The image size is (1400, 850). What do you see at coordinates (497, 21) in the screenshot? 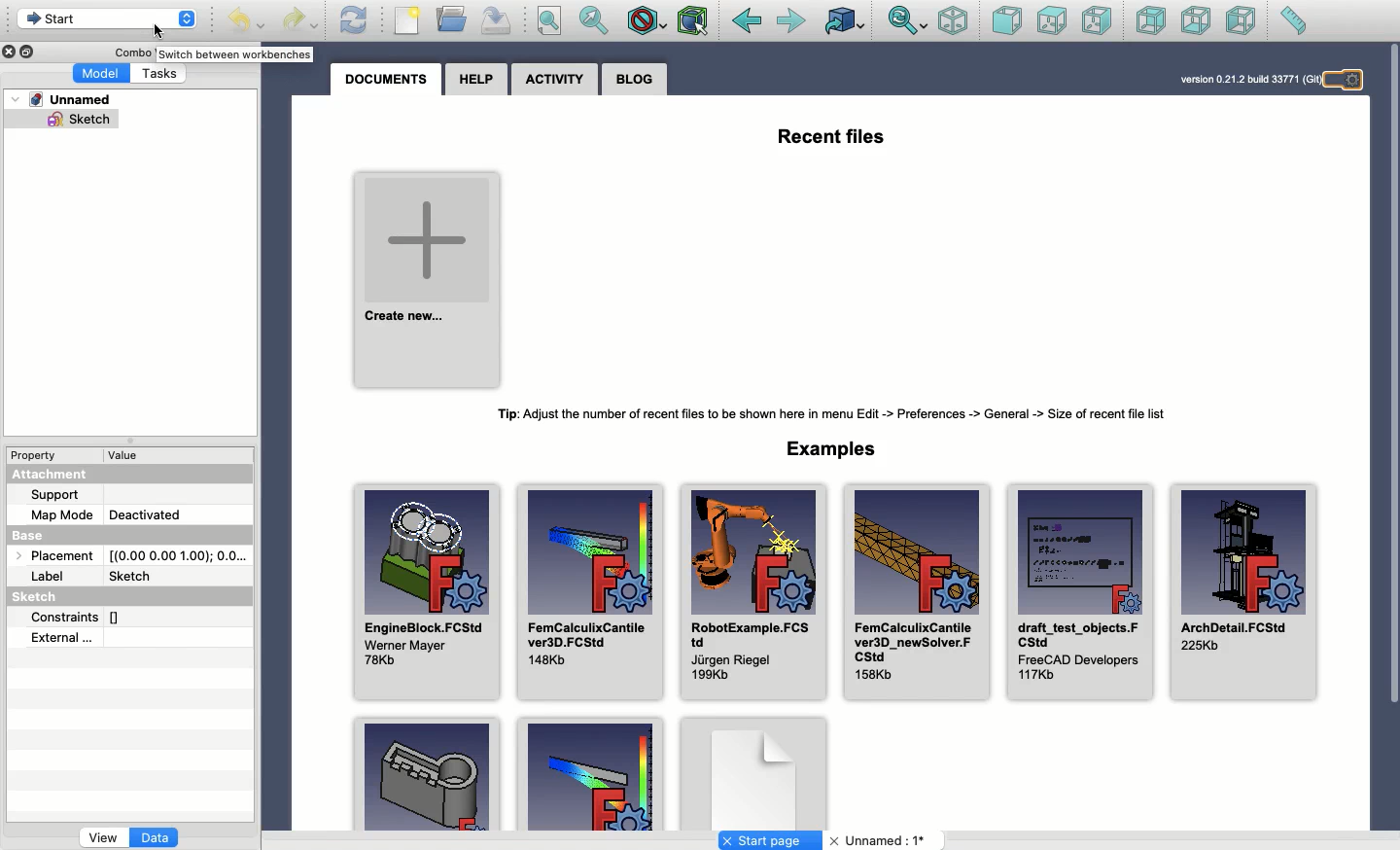
I see `Save` at bounding box center [497, 21].